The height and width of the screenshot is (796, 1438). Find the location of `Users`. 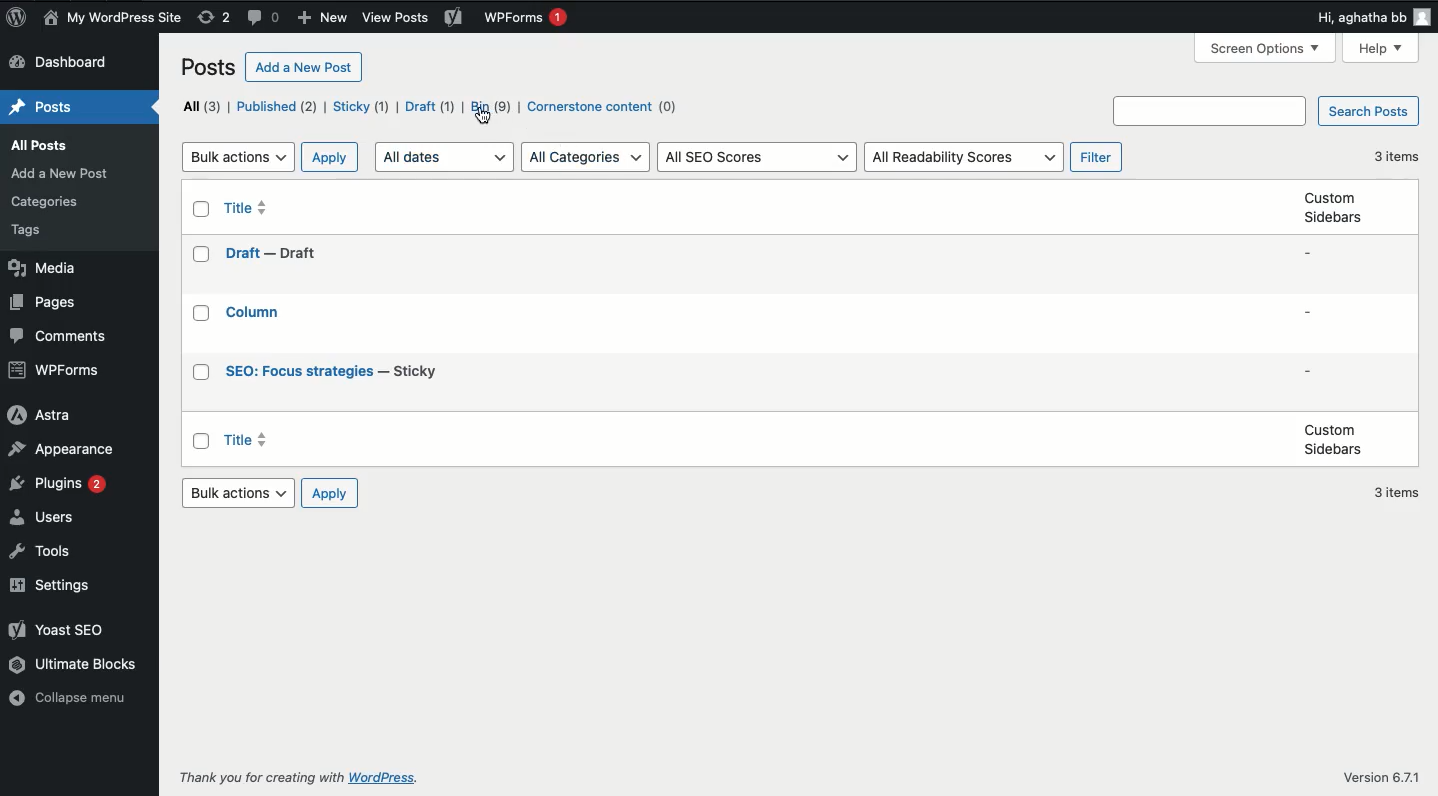

Users is located at coordinates (44, 518).